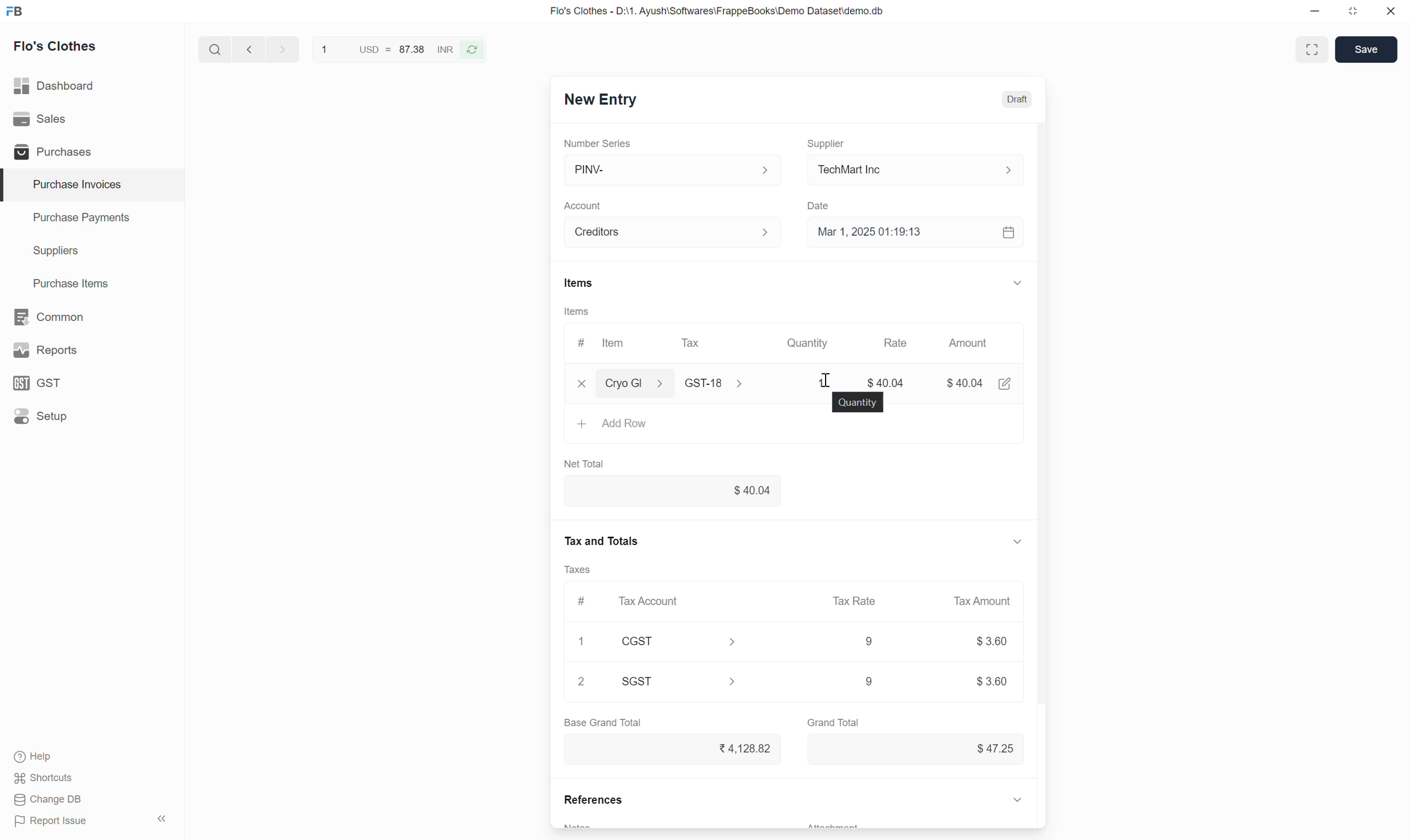  What do you see at coordinates (683, 643) in the screenshot?
I see ` CGST >` at bounding box center [683, 643].